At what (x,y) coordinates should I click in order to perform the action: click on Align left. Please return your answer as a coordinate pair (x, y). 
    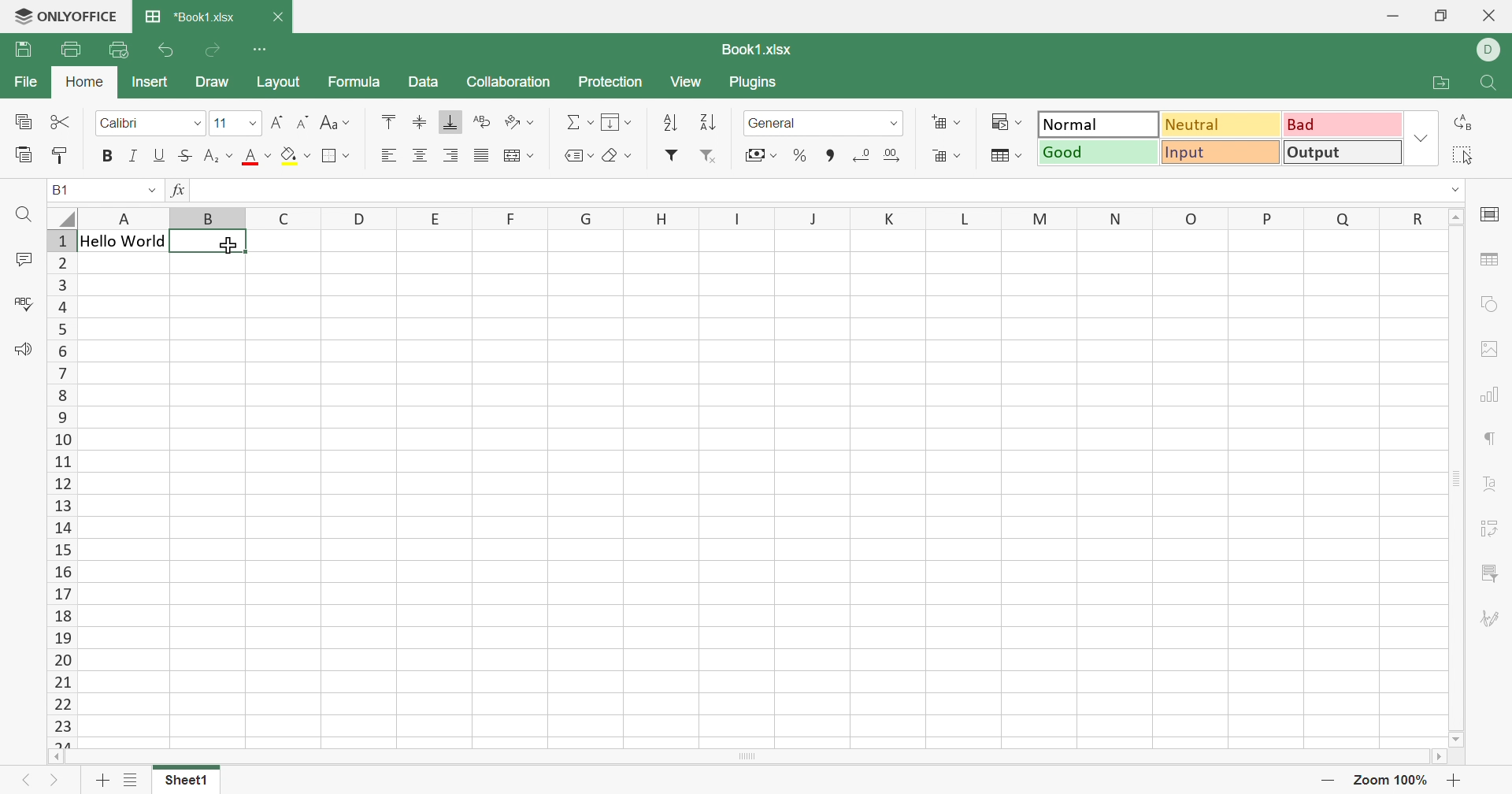
    Looking at the image, I should click on (391, 154).